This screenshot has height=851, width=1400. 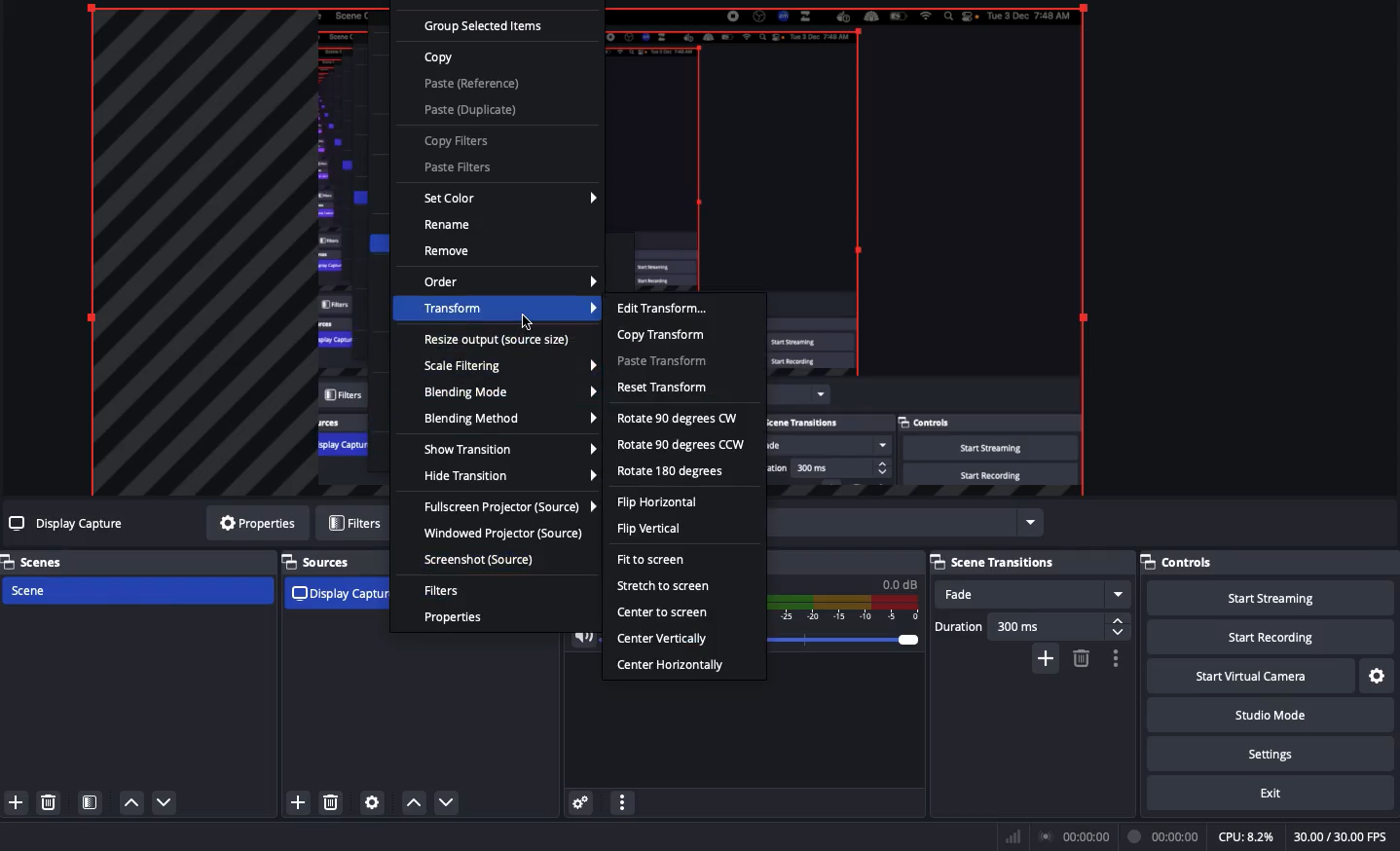 What do you see at coordinates (463, 168) in the screenshot?
I see `Paste filters` at bounding box center [463, 168].